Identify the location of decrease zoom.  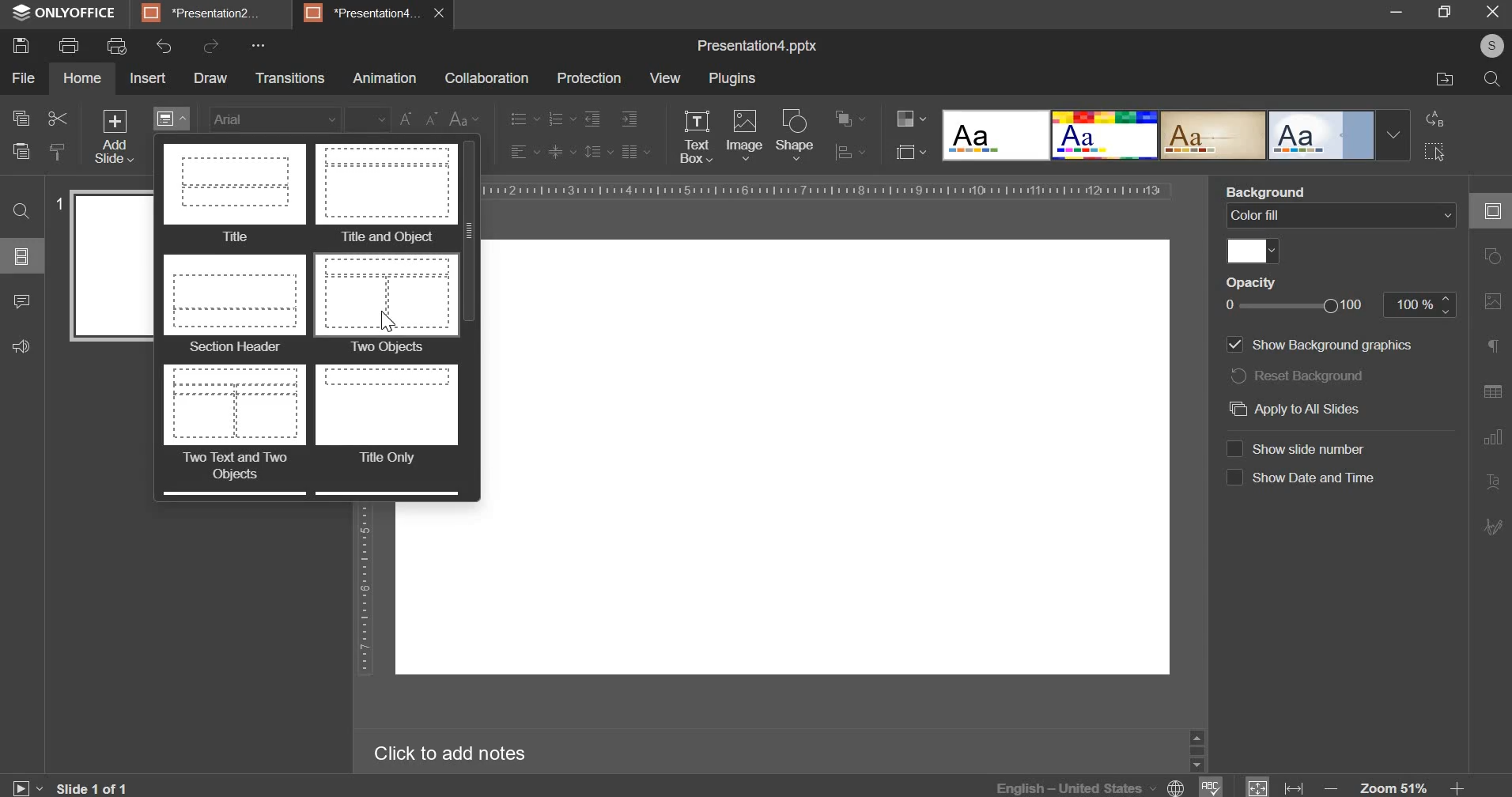
(1334, 788).